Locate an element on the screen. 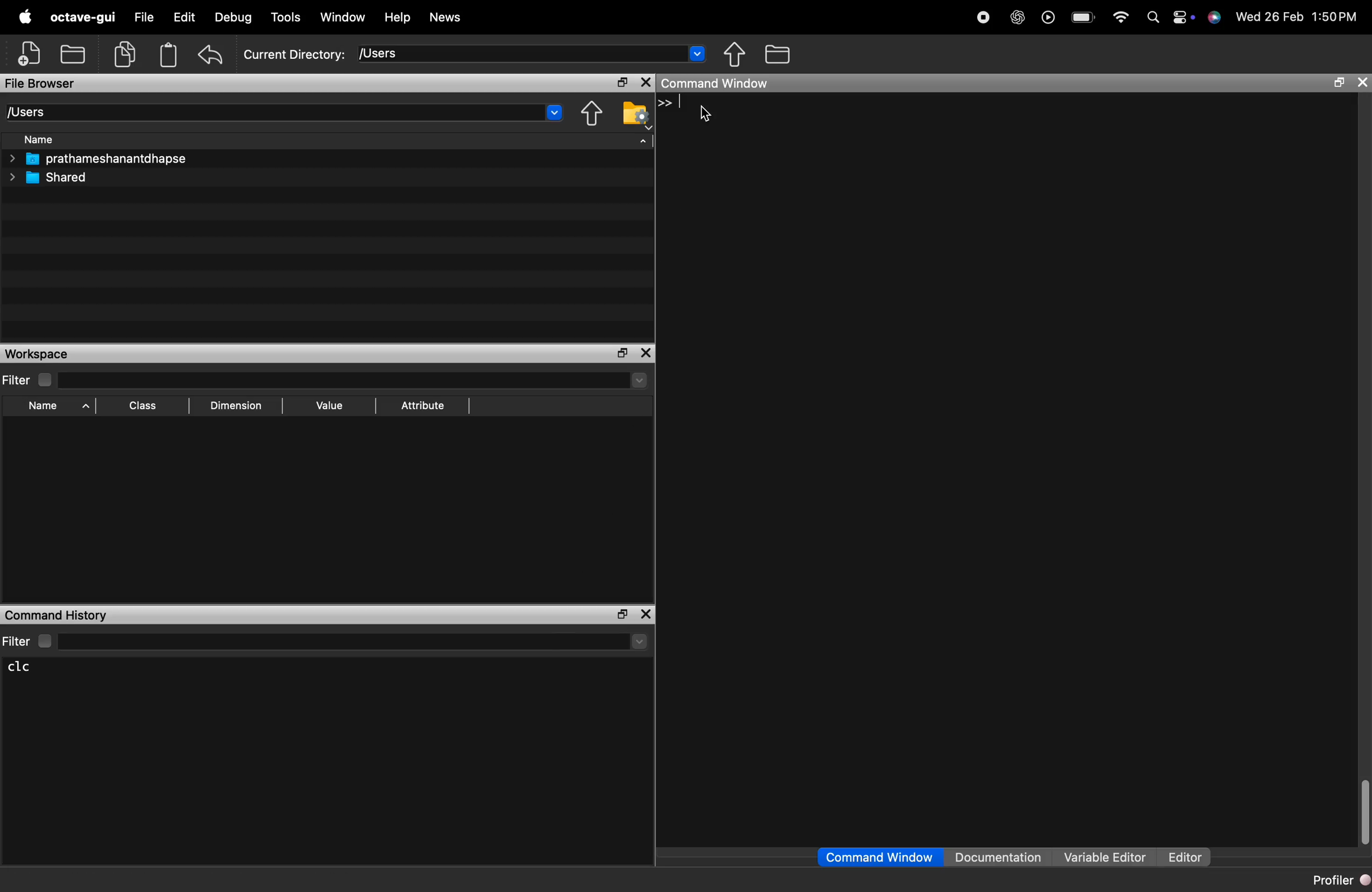 Image resolution: width=1372 pixels, height=892 pixels. Window is located at coordinates (344, 17).